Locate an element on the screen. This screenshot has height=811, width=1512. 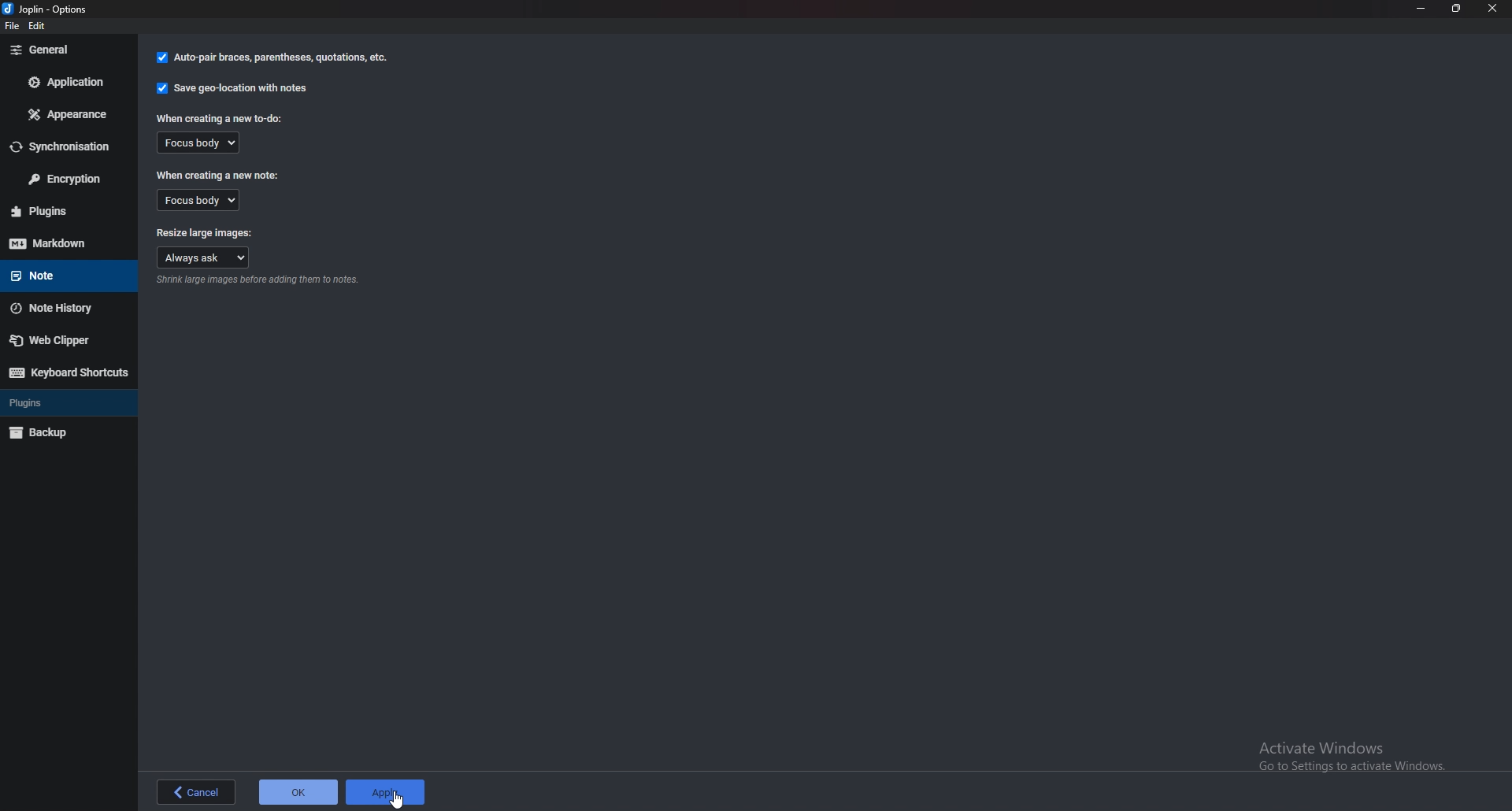
autopair braces, parenthesis, Quotations,etc. is located at coordinates (270, 60).